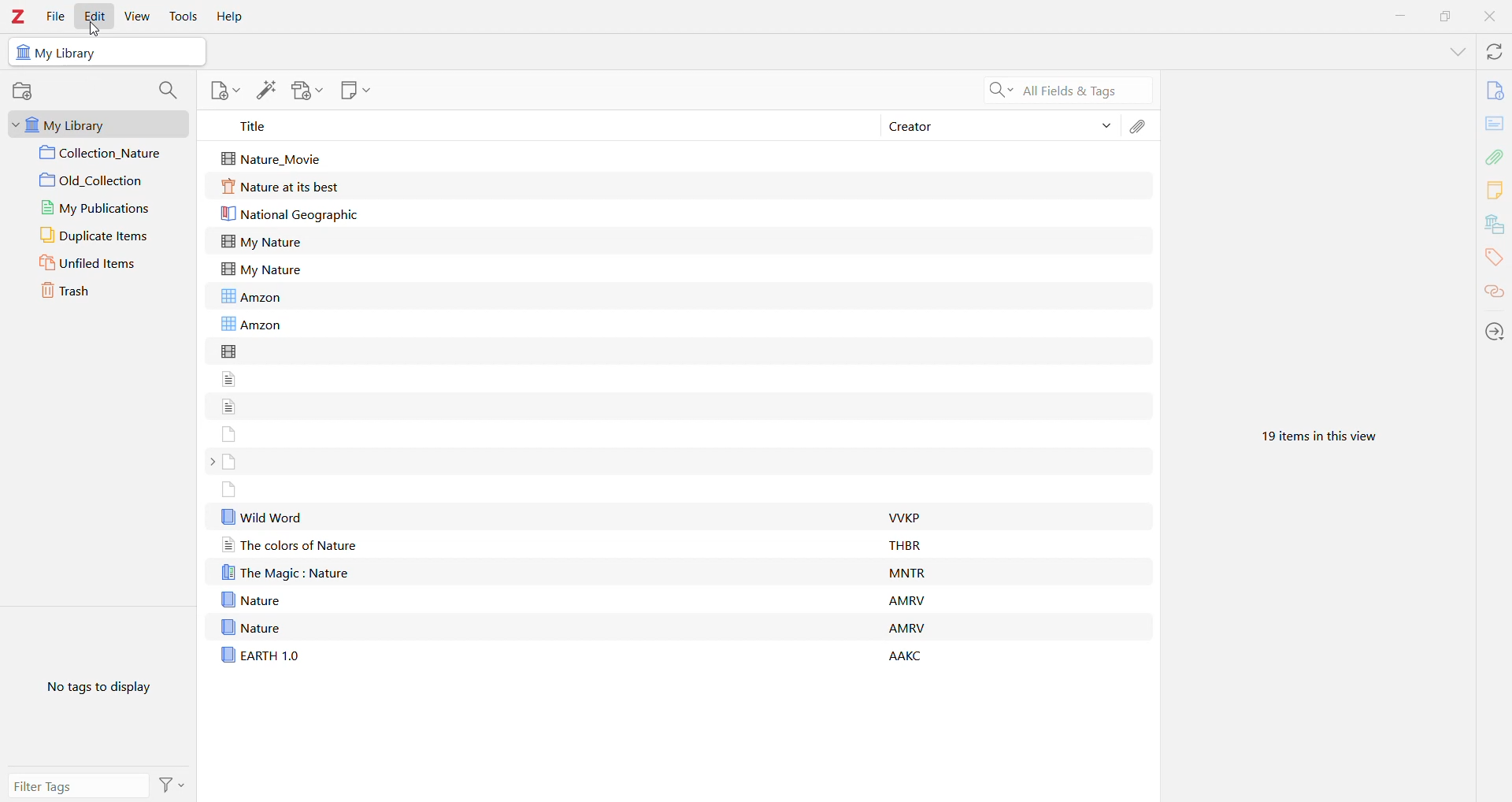 This screenshot has width=1512, height=802. What do you see at coordinates (909, 520) in the screenshot?
I see `VVKP` at bounding box center [909, 520].